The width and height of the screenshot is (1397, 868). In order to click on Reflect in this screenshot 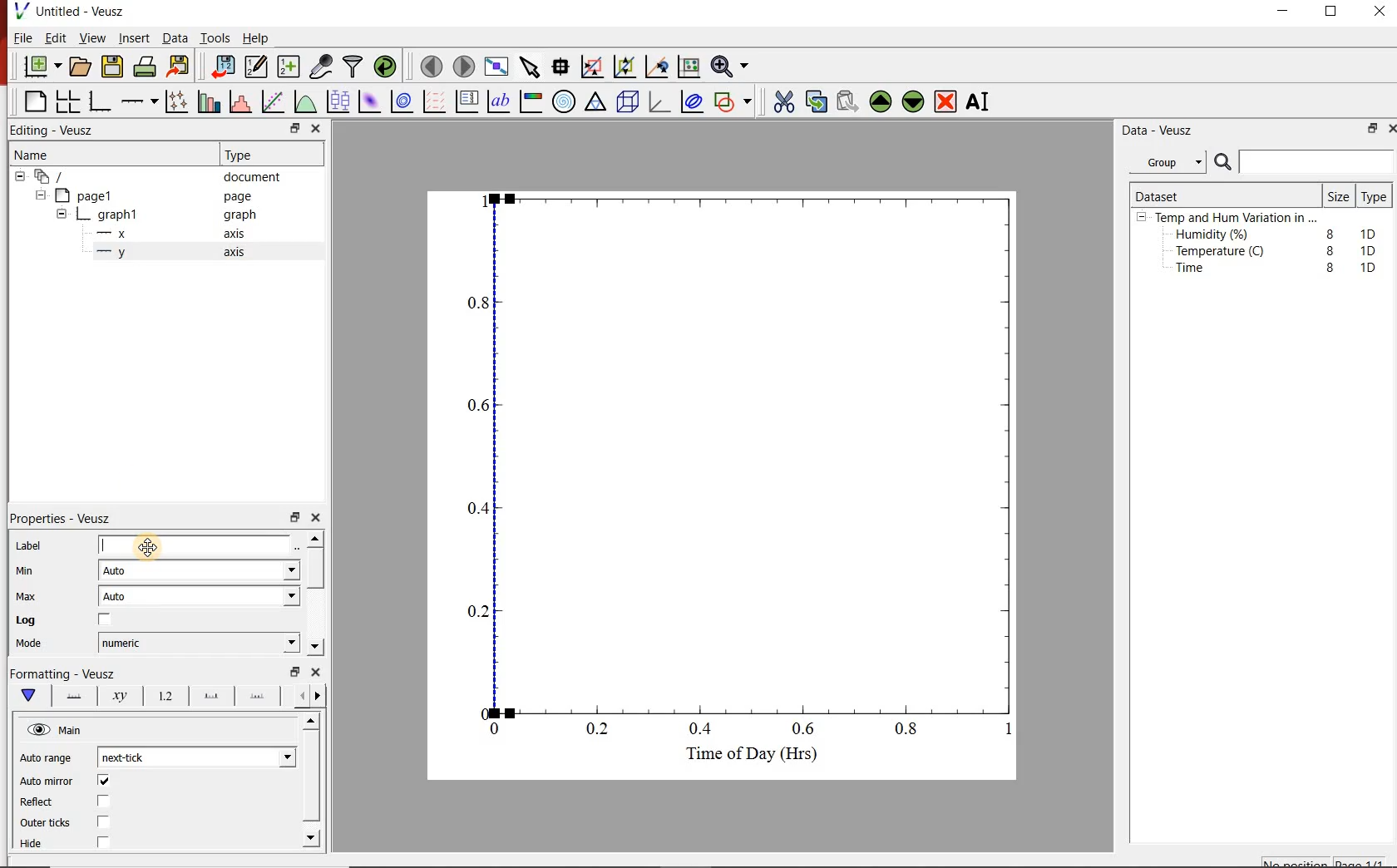, I will do `click(72, 802)`.